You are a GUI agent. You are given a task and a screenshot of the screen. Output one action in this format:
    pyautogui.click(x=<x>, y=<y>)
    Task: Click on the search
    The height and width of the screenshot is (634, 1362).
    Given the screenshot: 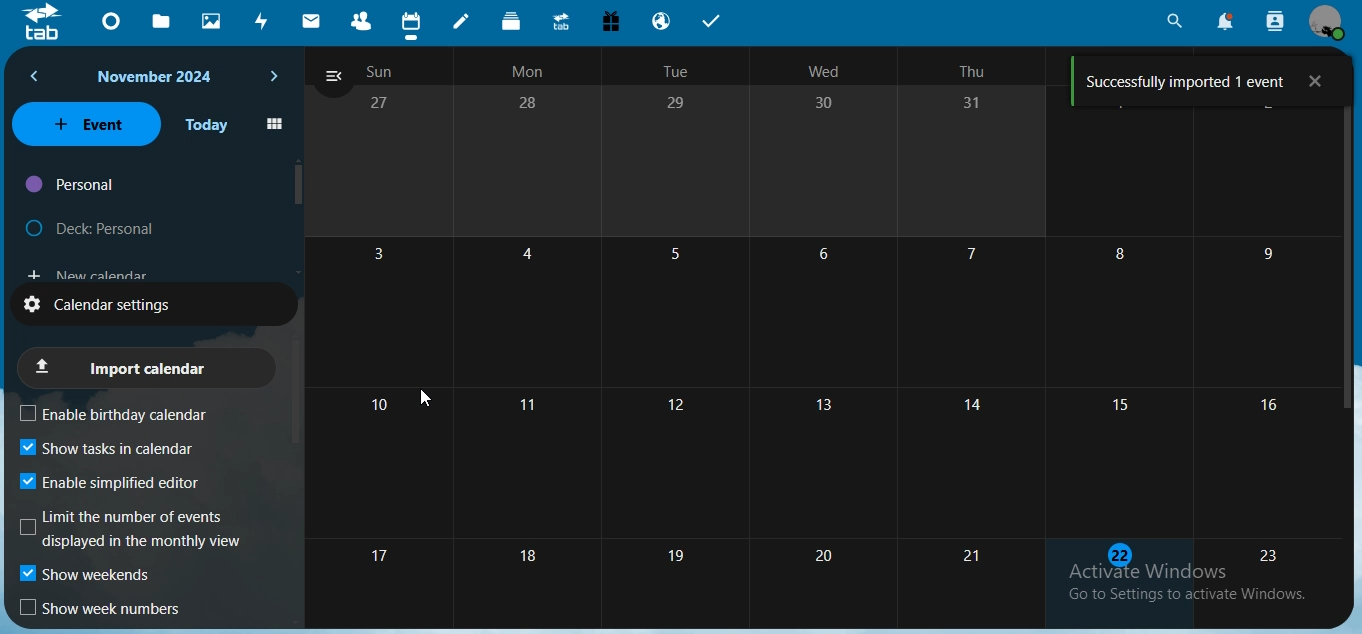 What is the action you would take?
    pyautogui.click(x=1174, y=21)
    